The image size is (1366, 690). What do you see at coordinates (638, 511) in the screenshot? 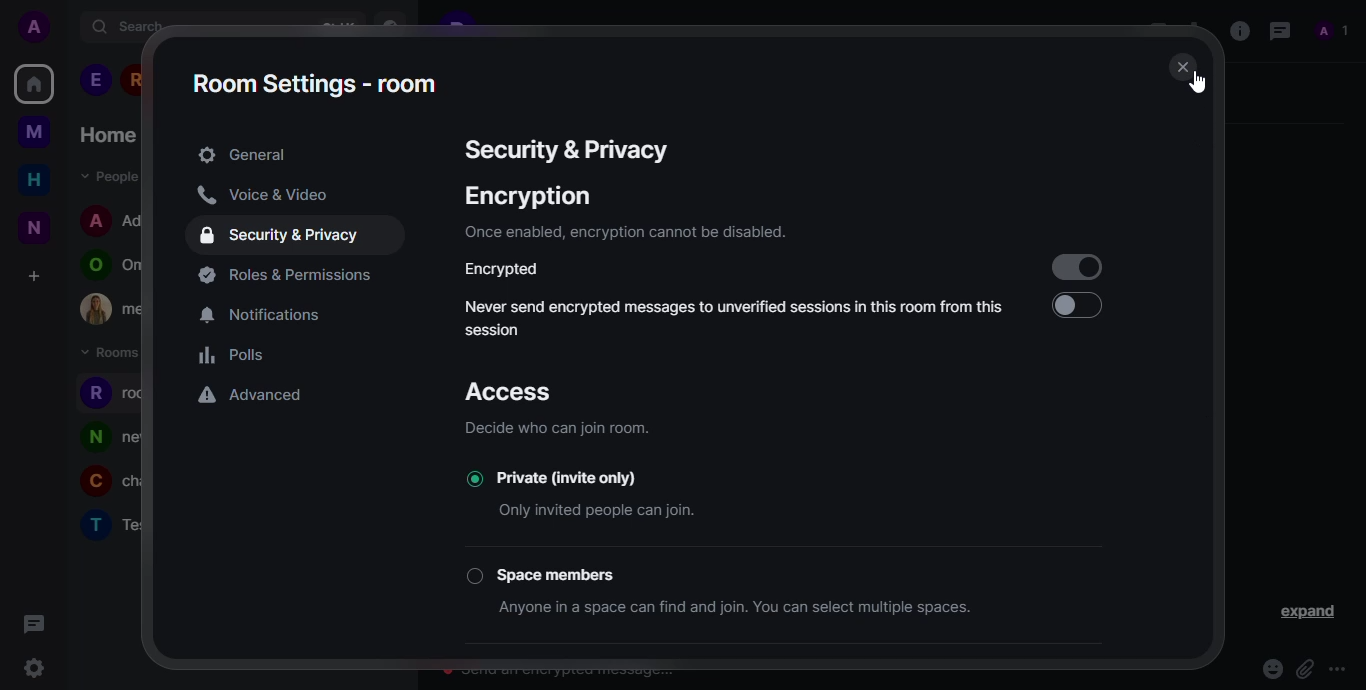
I see `Only invited people can join.` at bounding box center [638, 511].